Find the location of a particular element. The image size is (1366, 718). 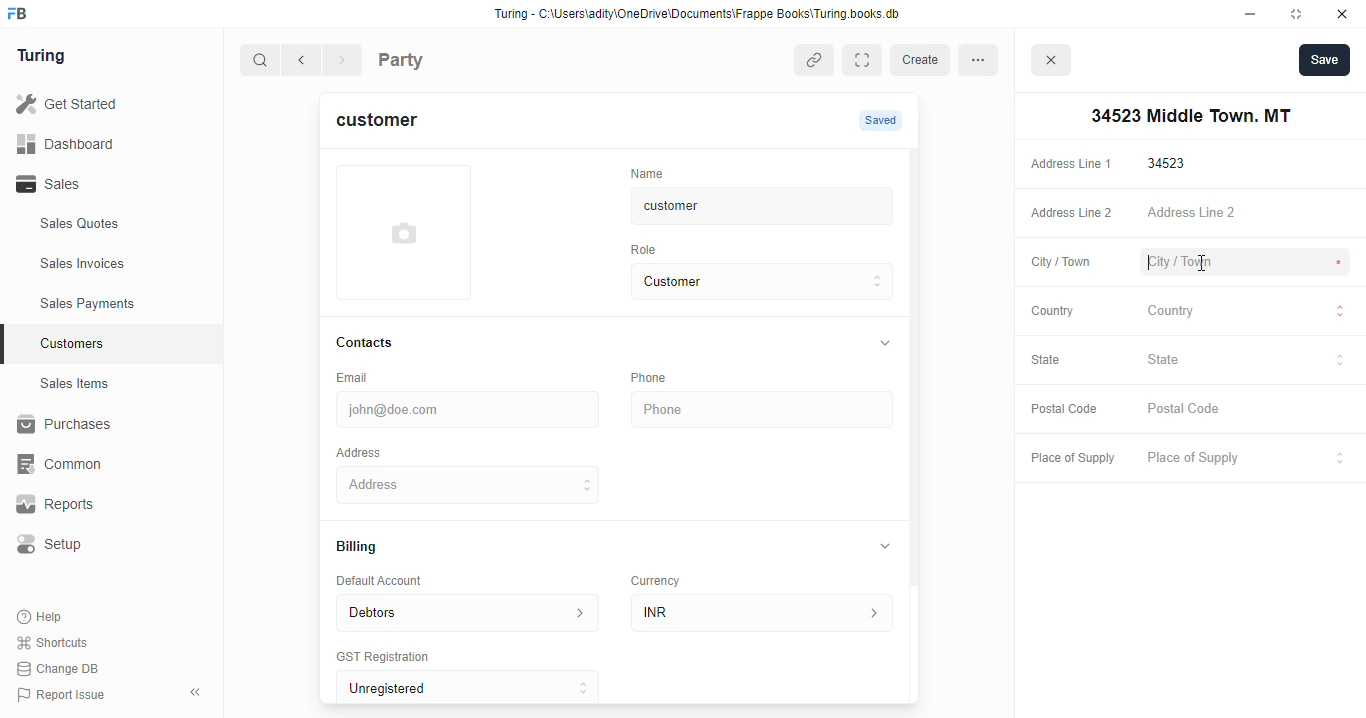

City / Town is located at coordinates (1061, 264).